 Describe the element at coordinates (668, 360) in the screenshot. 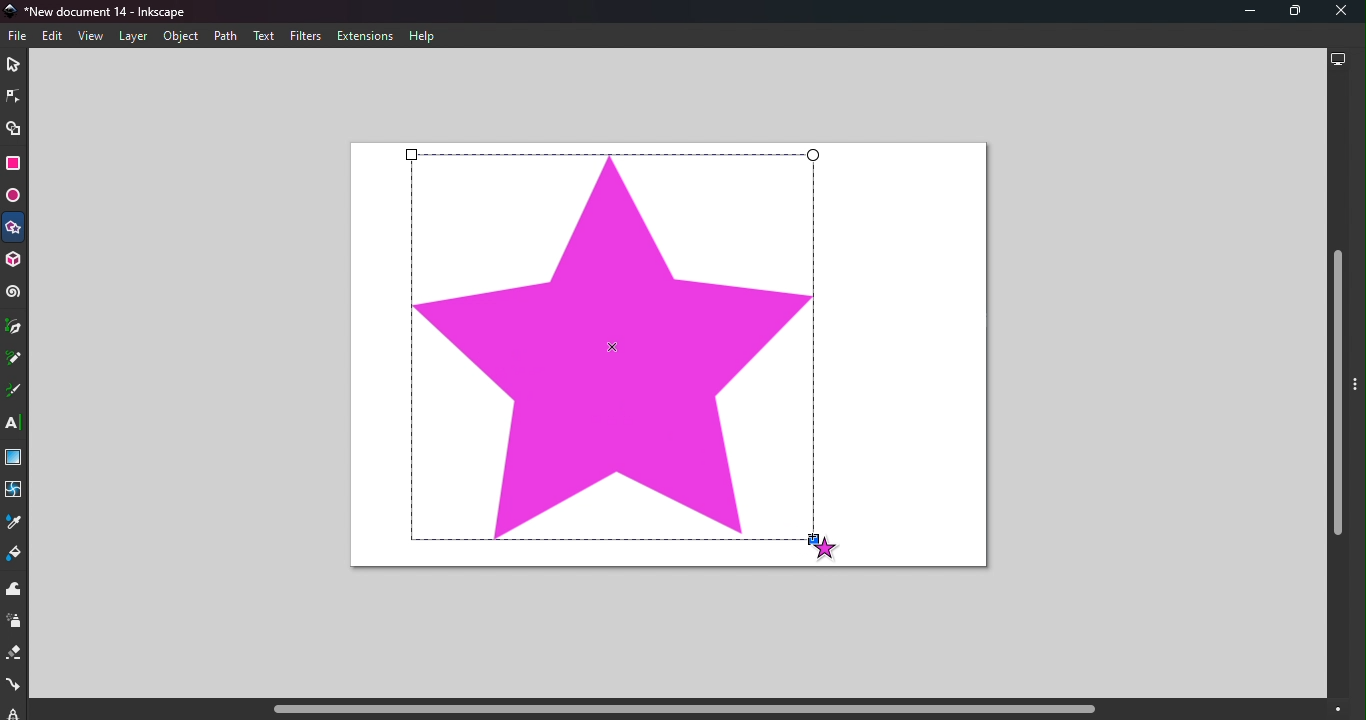

I see `Canvas` at that location.